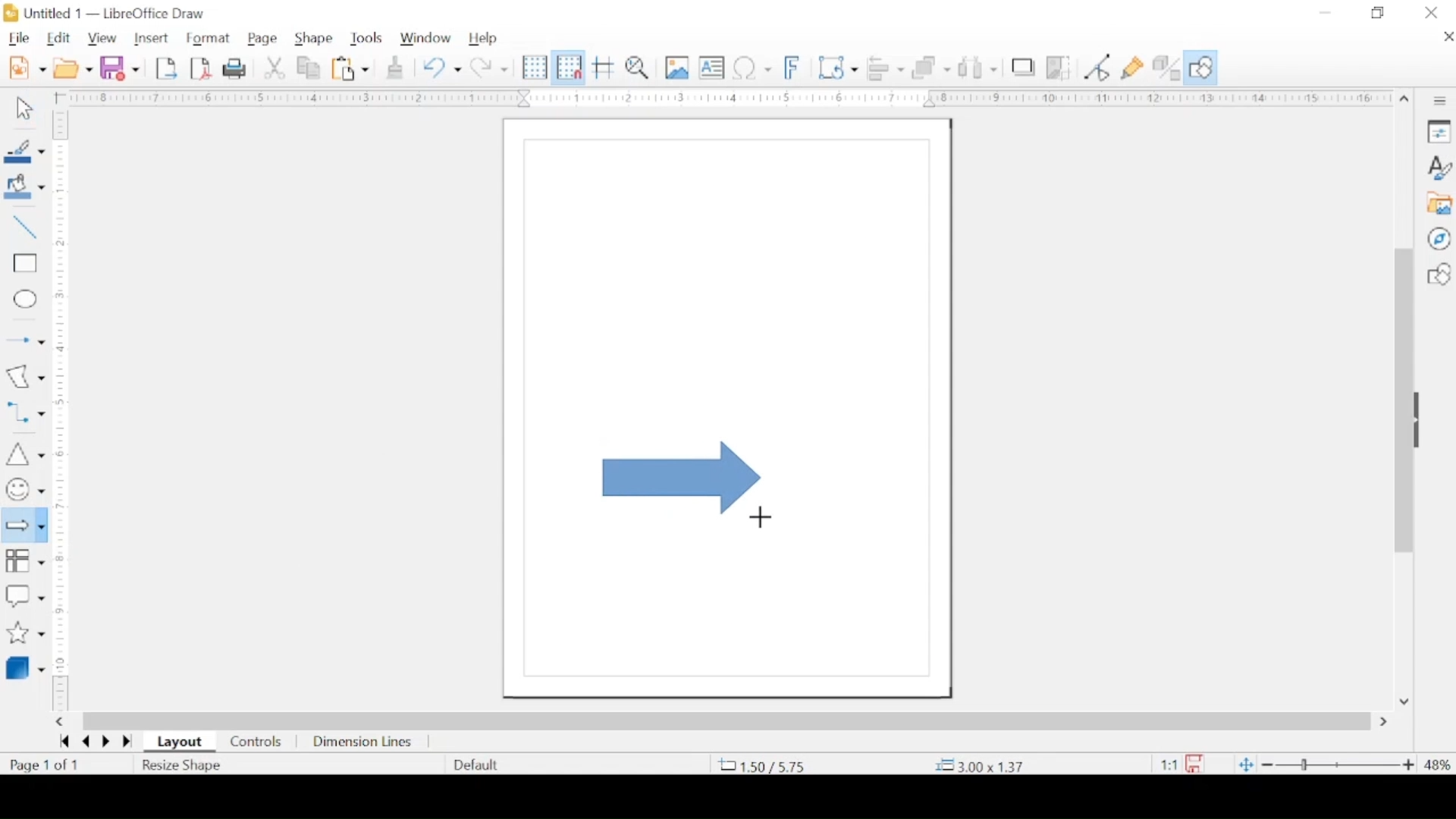  What do you see at coordinates (200, 69) in the screenshot?
I see `export directly as pdf` at bounding box center [200, 69].